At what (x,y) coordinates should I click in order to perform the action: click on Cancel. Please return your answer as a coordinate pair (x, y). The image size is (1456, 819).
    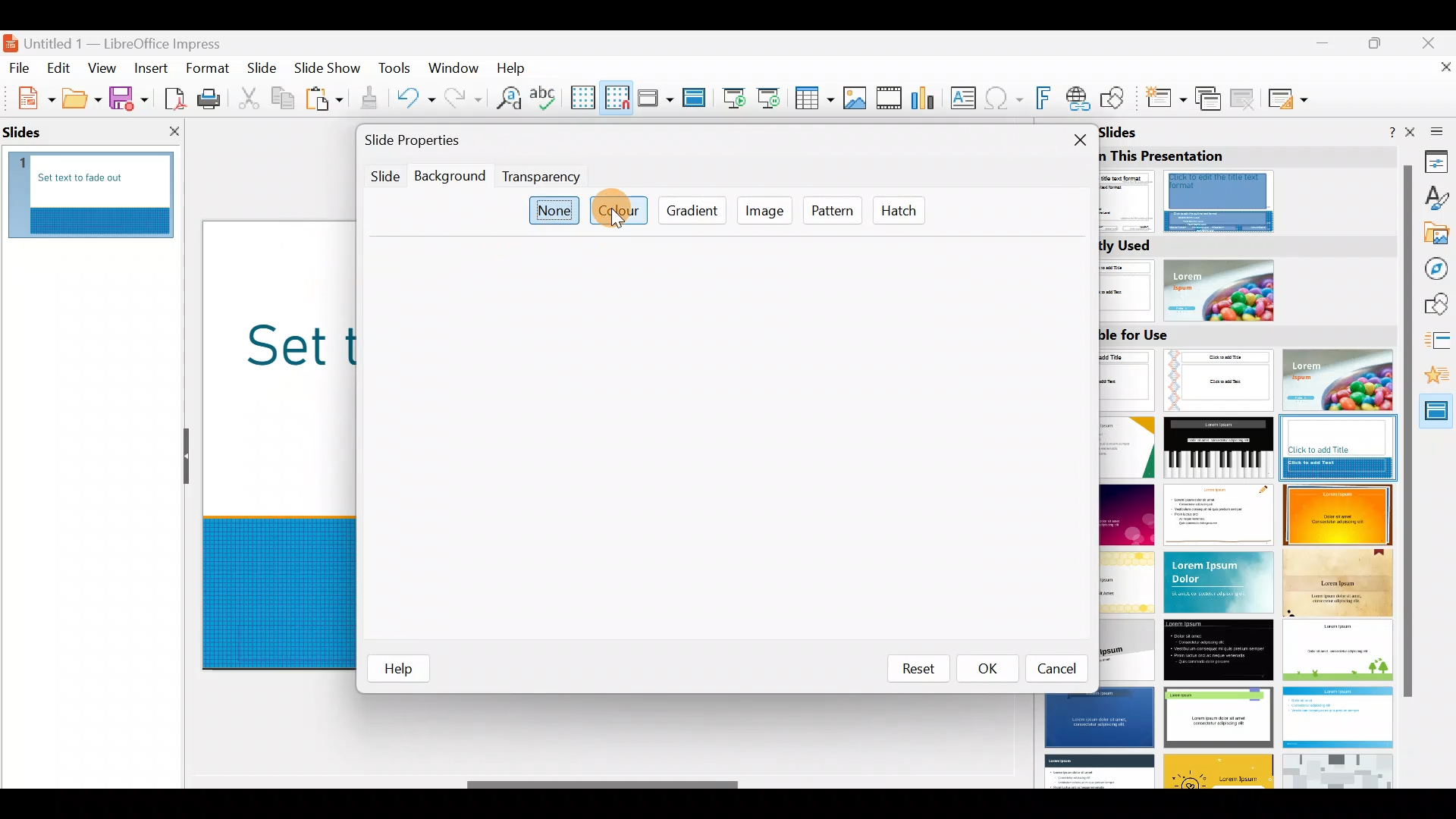
    Looking at the image, I should click on (1051, 669).